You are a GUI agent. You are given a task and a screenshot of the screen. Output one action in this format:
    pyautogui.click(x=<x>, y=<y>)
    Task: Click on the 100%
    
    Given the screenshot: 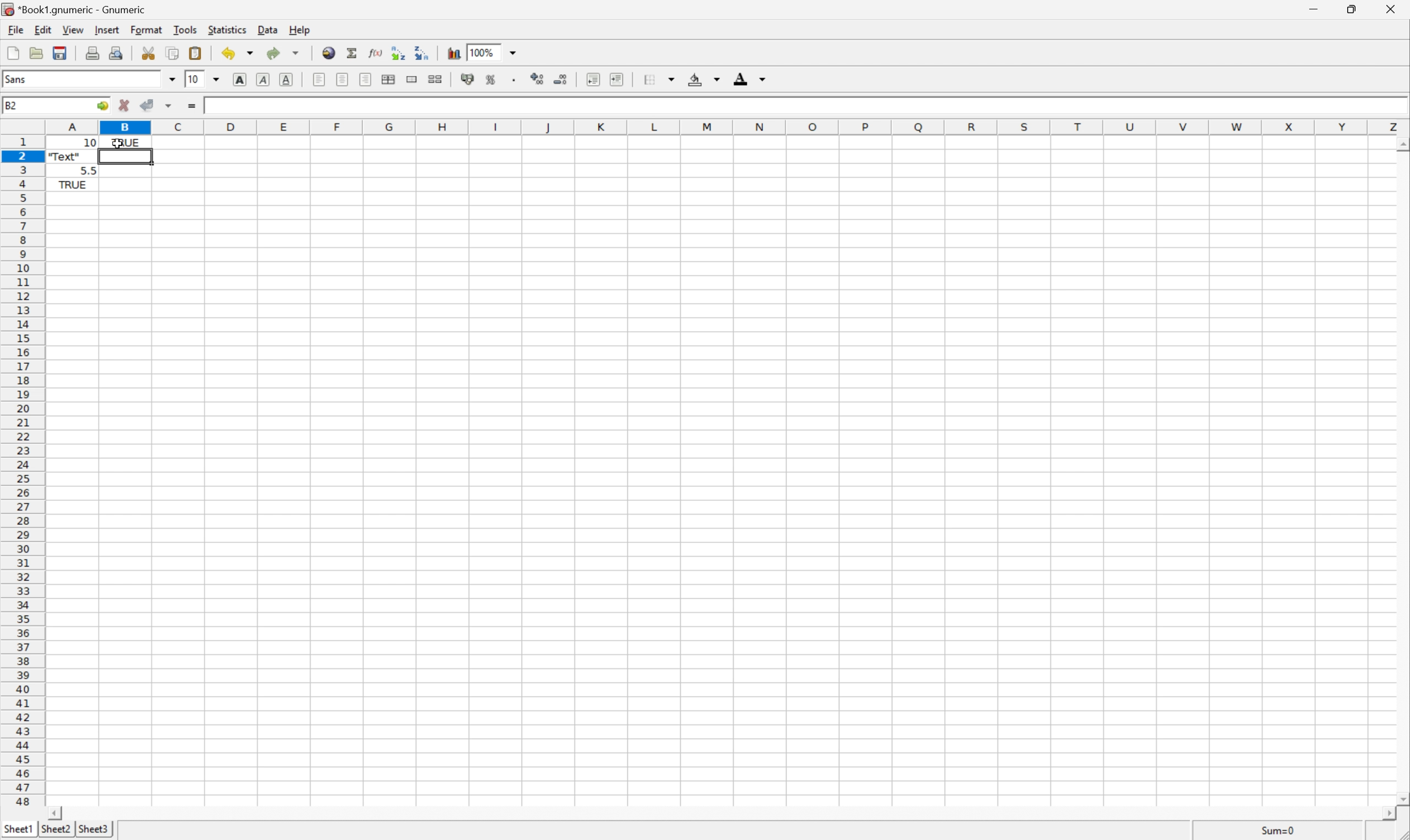 What is the action you would take?
    pyautogui.click(x=484, y=52)
    